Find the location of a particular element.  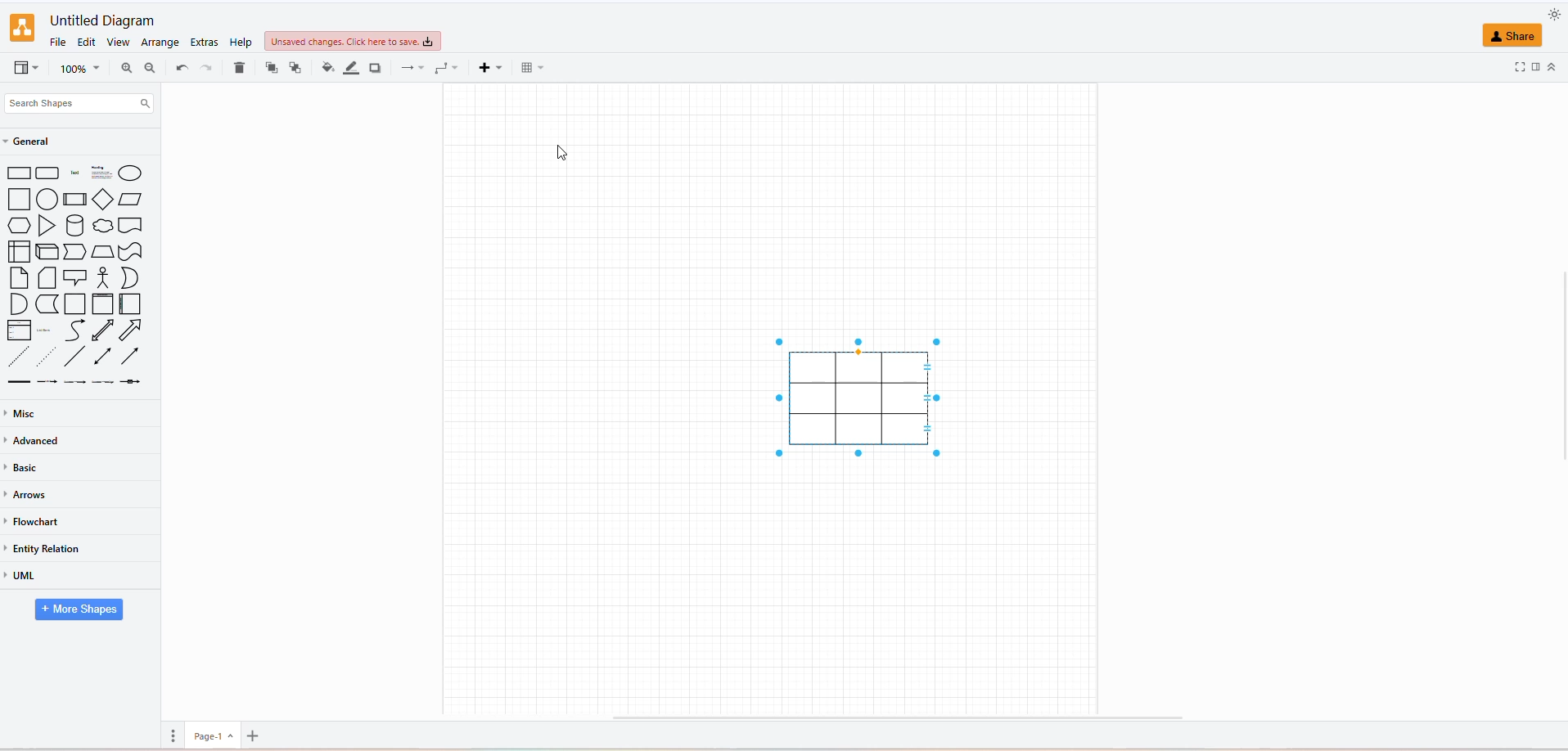

search is located at coordinates (99, 105).